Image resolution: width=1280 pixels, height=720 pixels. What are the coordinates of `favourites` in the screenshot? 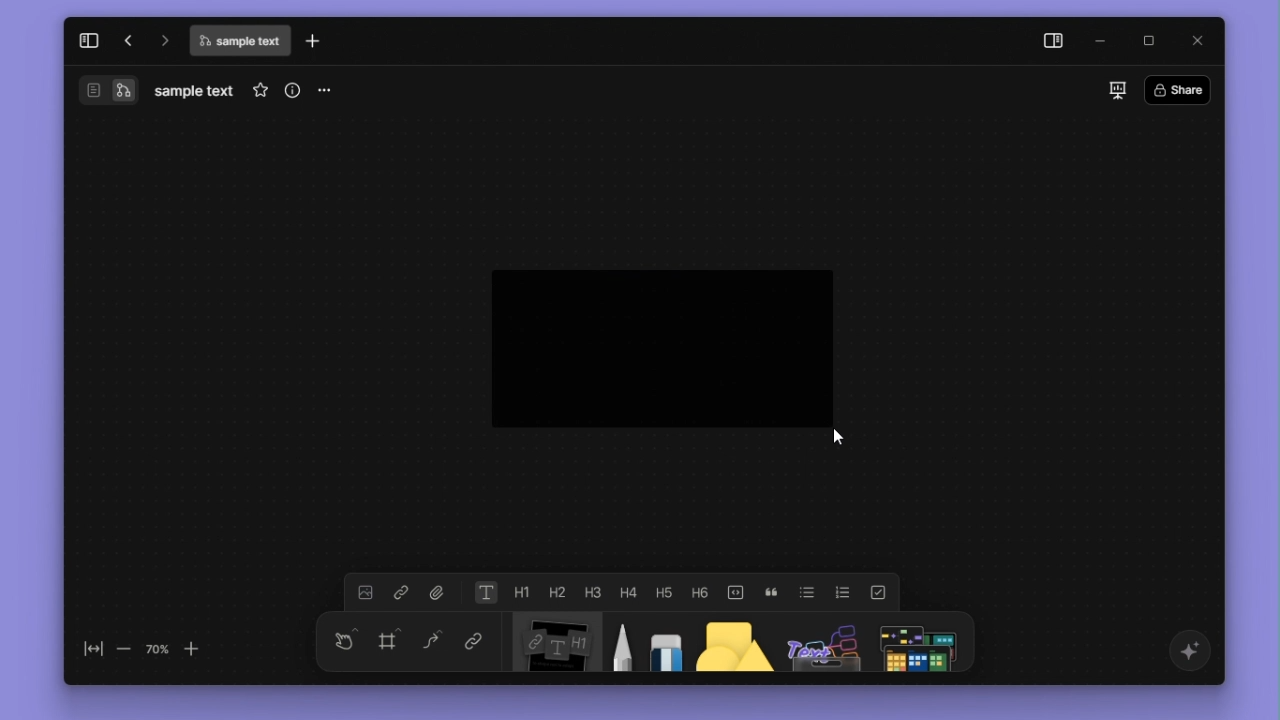 It's located at (256, 90).